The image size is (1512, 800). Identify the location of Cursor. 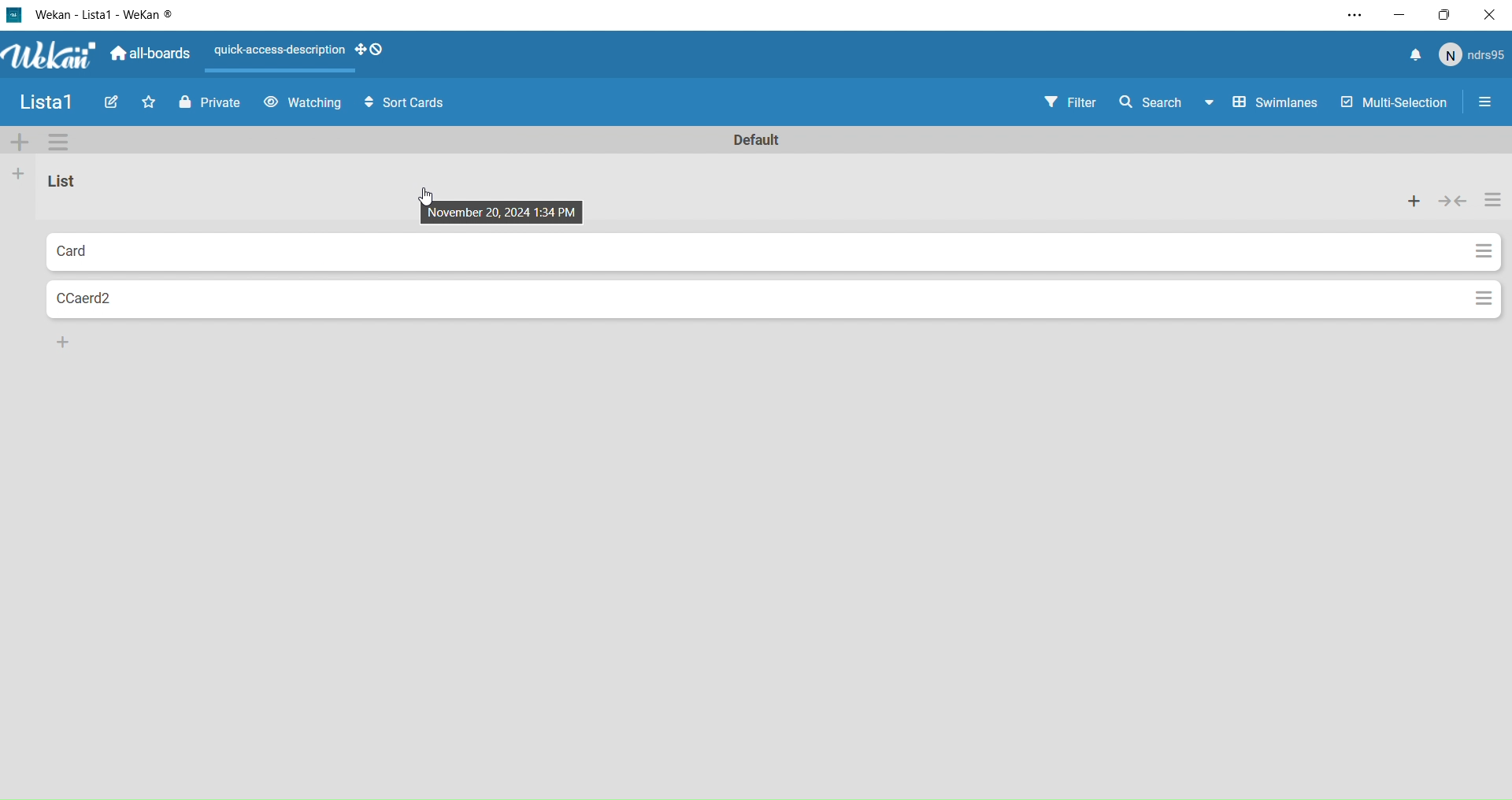
(513, 207).